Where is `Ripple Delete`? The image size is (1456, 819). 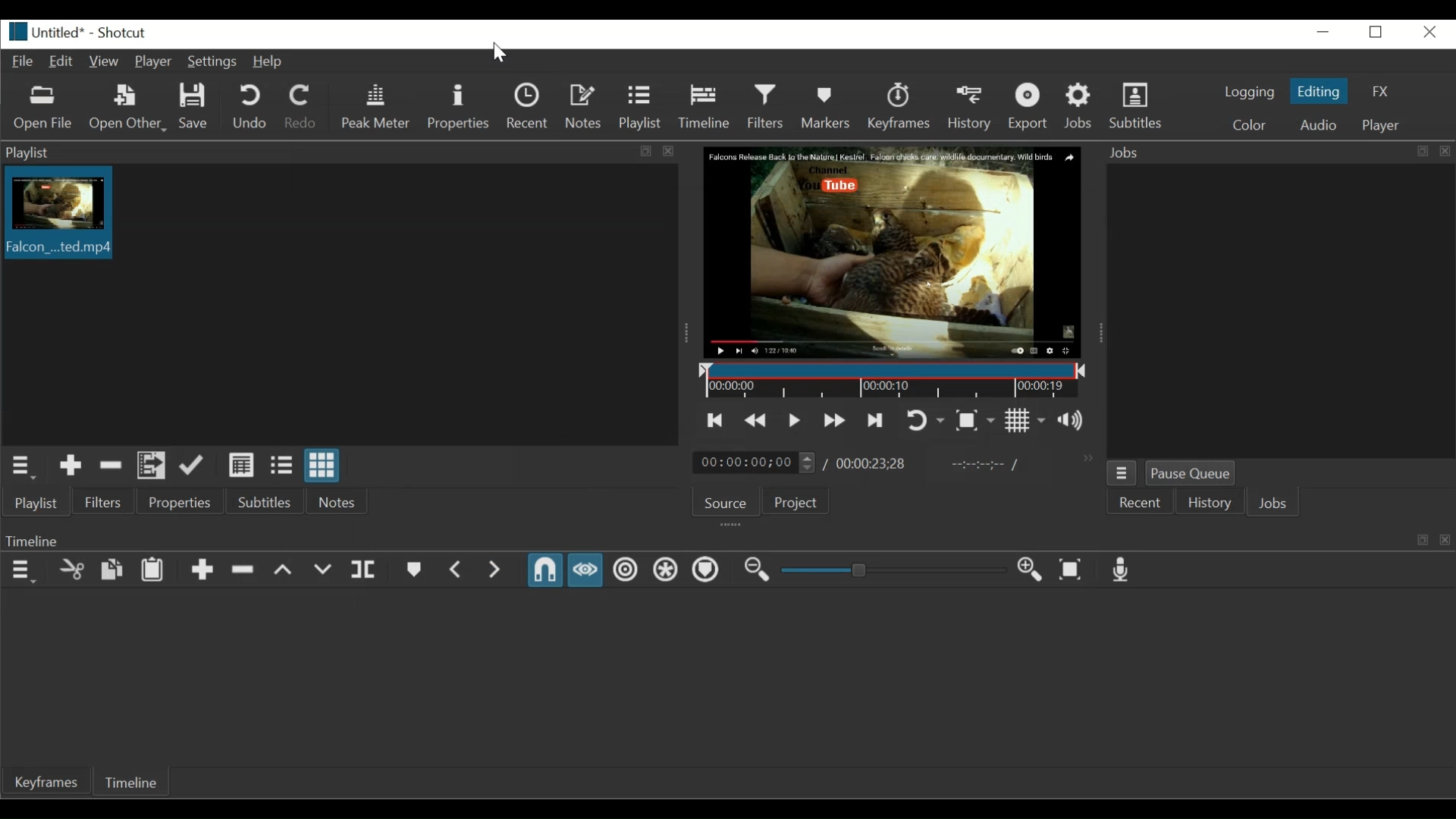
Ripple Delete is located at coordinates (245, 570).